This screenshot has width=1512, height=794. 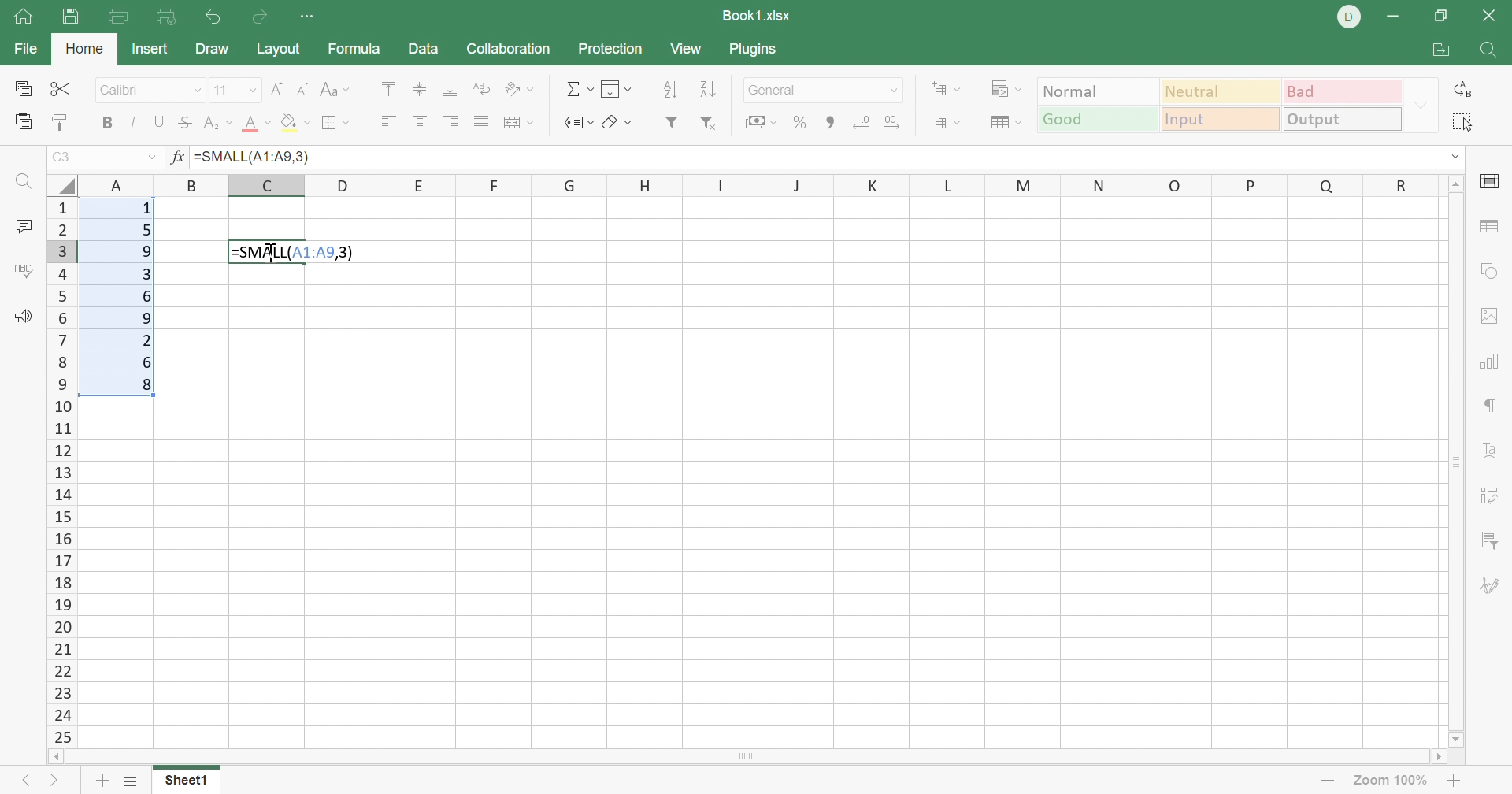 I want to click on Close, so click(x=1493, y=13).